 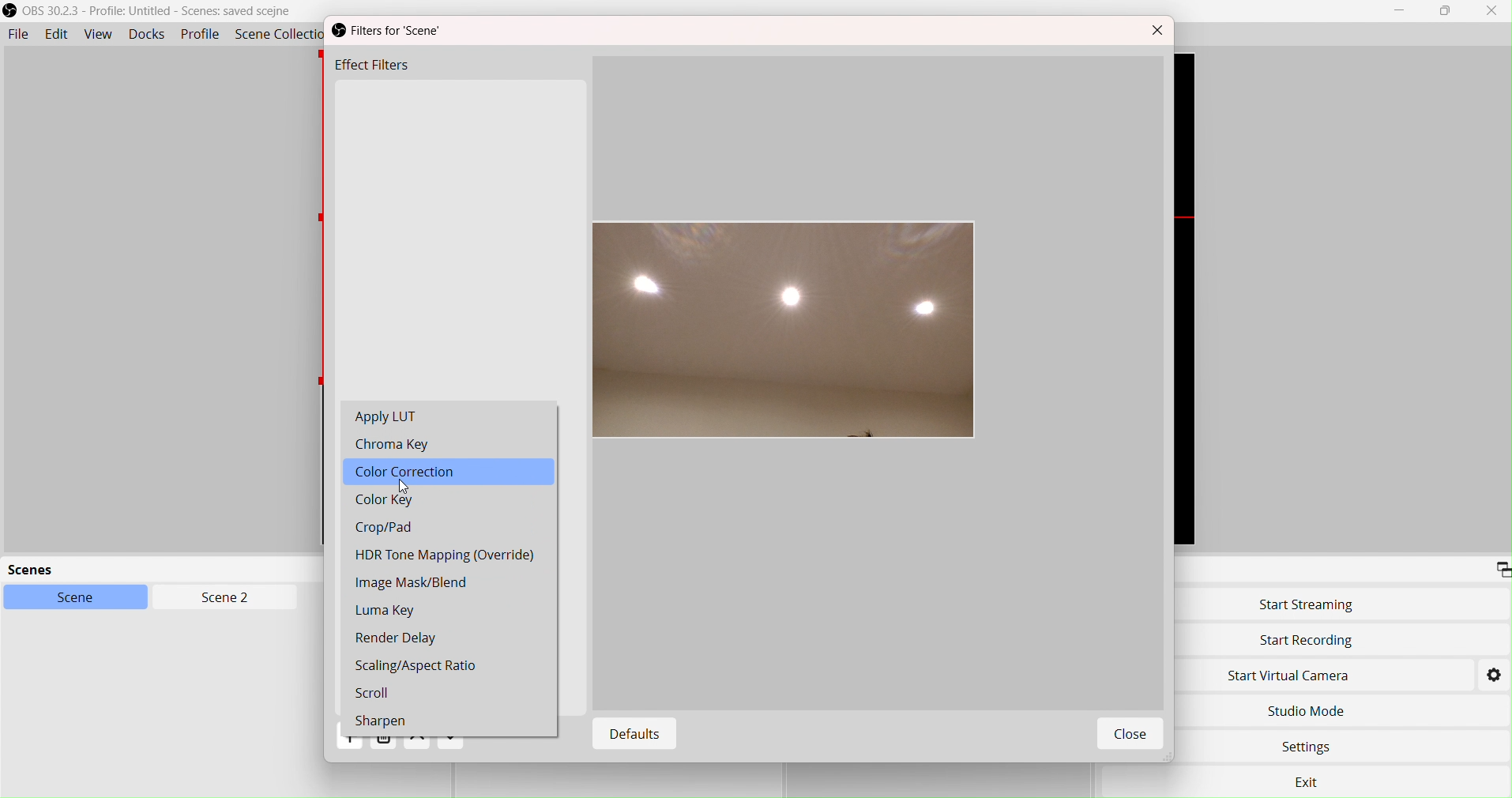 I want to click on View, so click(x=99, y=35).